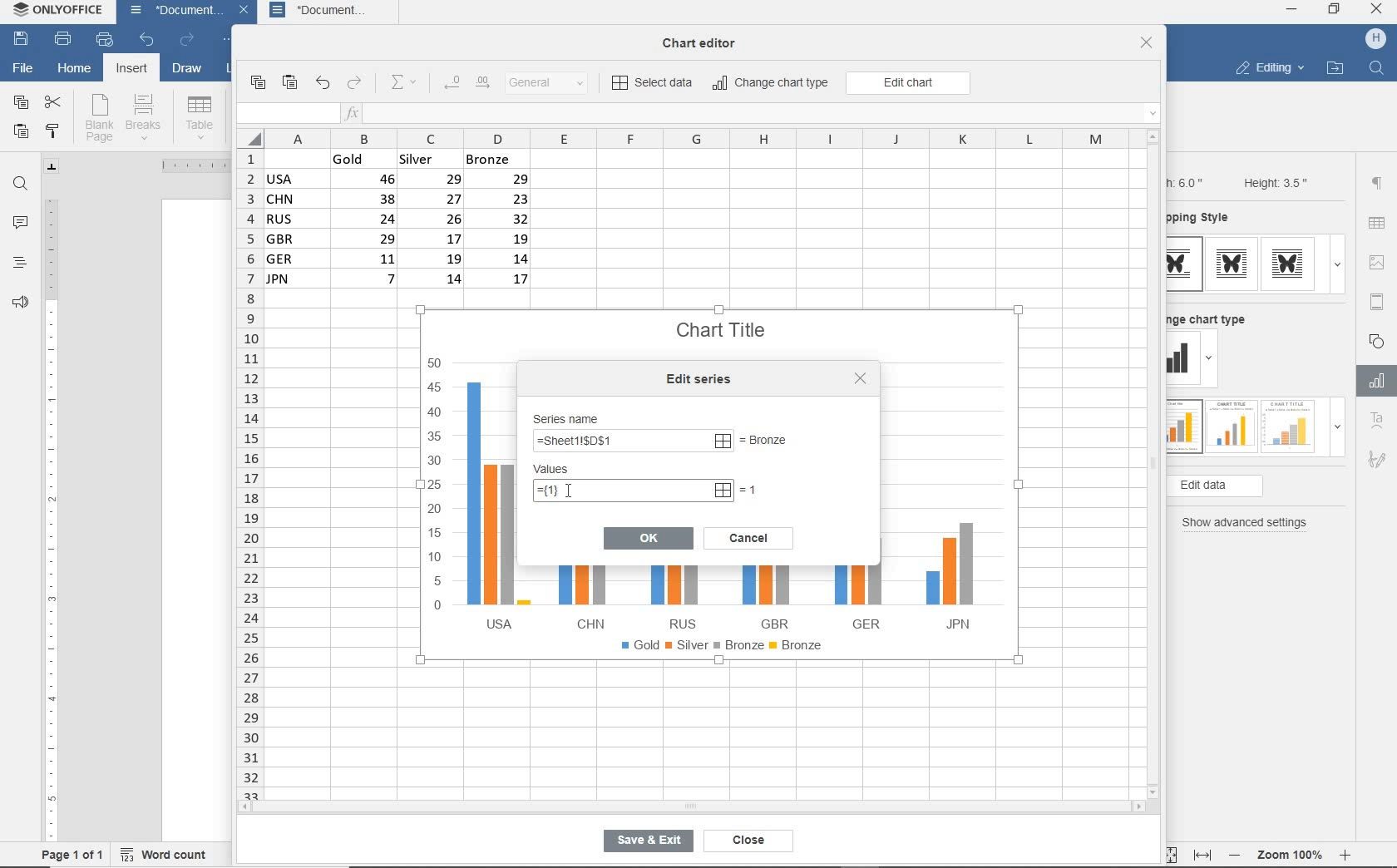  Describe the element at coordinates (860, 378) in the screenshot. I see `lose` at that location.